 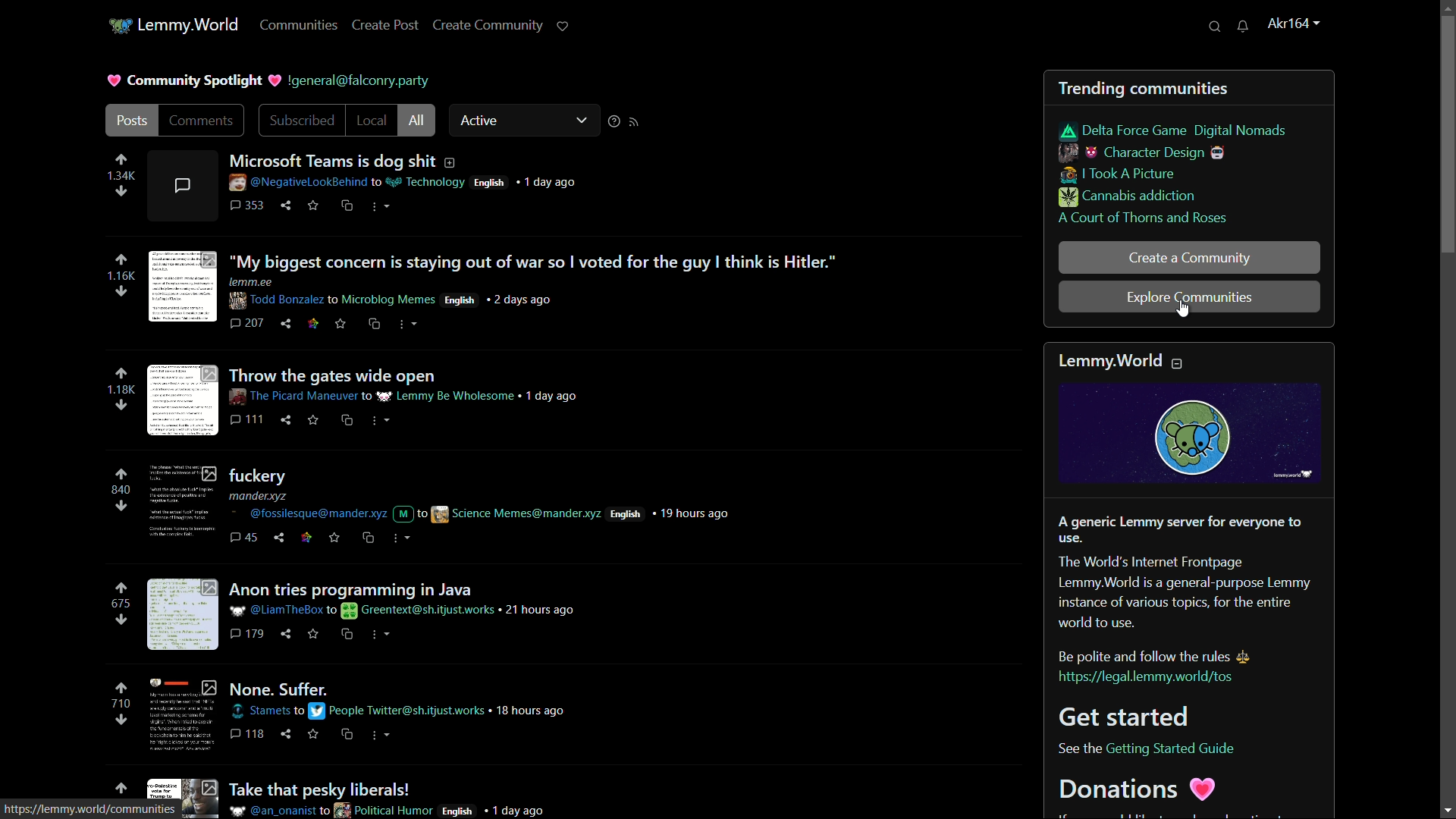 I want to click on search, so click(x=1213, y=27).